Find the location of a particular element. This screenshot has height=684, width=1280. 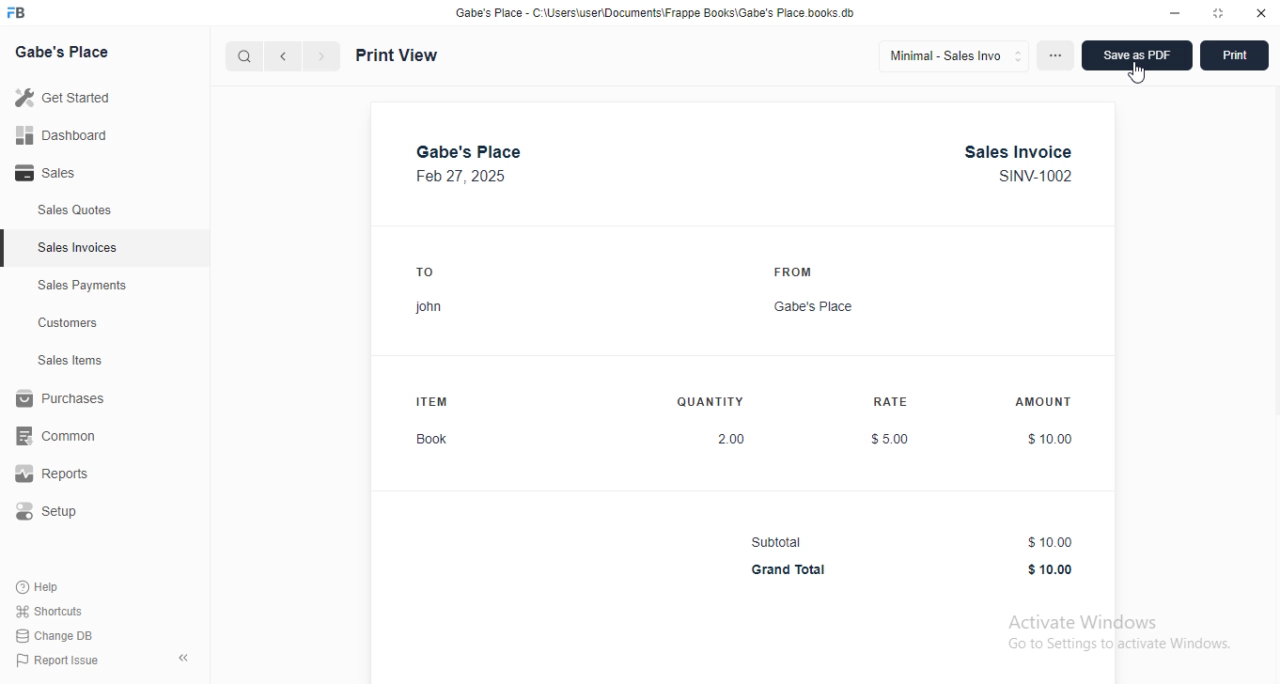

AMOUNT is located at coordinates (1043, 401).